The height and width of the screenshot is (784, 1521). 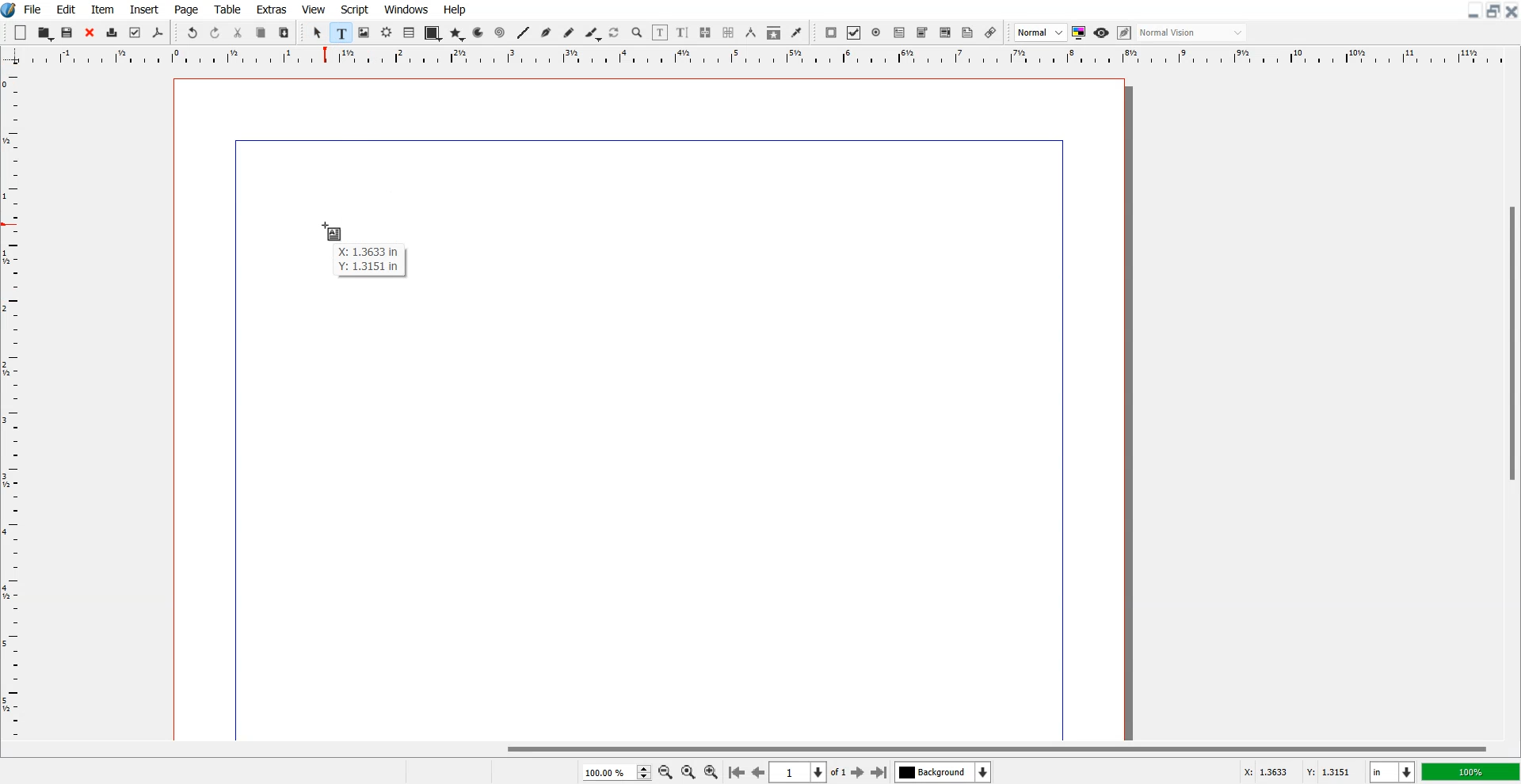 What do you see at coordinates (1041, 32) in the screenshot?
I see `Select Image Preview quality` at bounding box center [1041, 32].